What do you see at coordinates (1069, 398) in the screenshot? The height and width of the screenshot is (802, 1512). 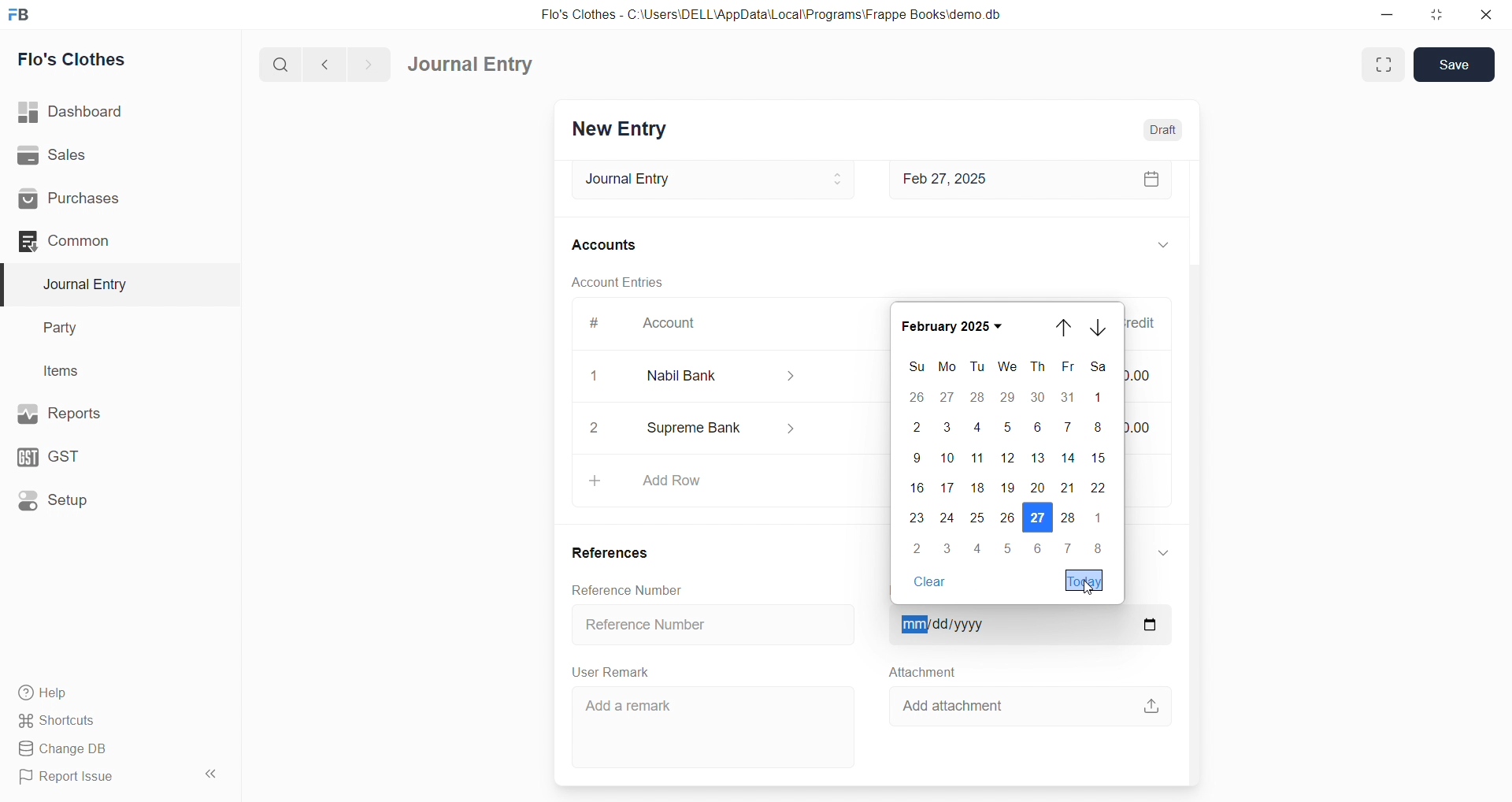 I see `31` at bounding box center [1069, 398].